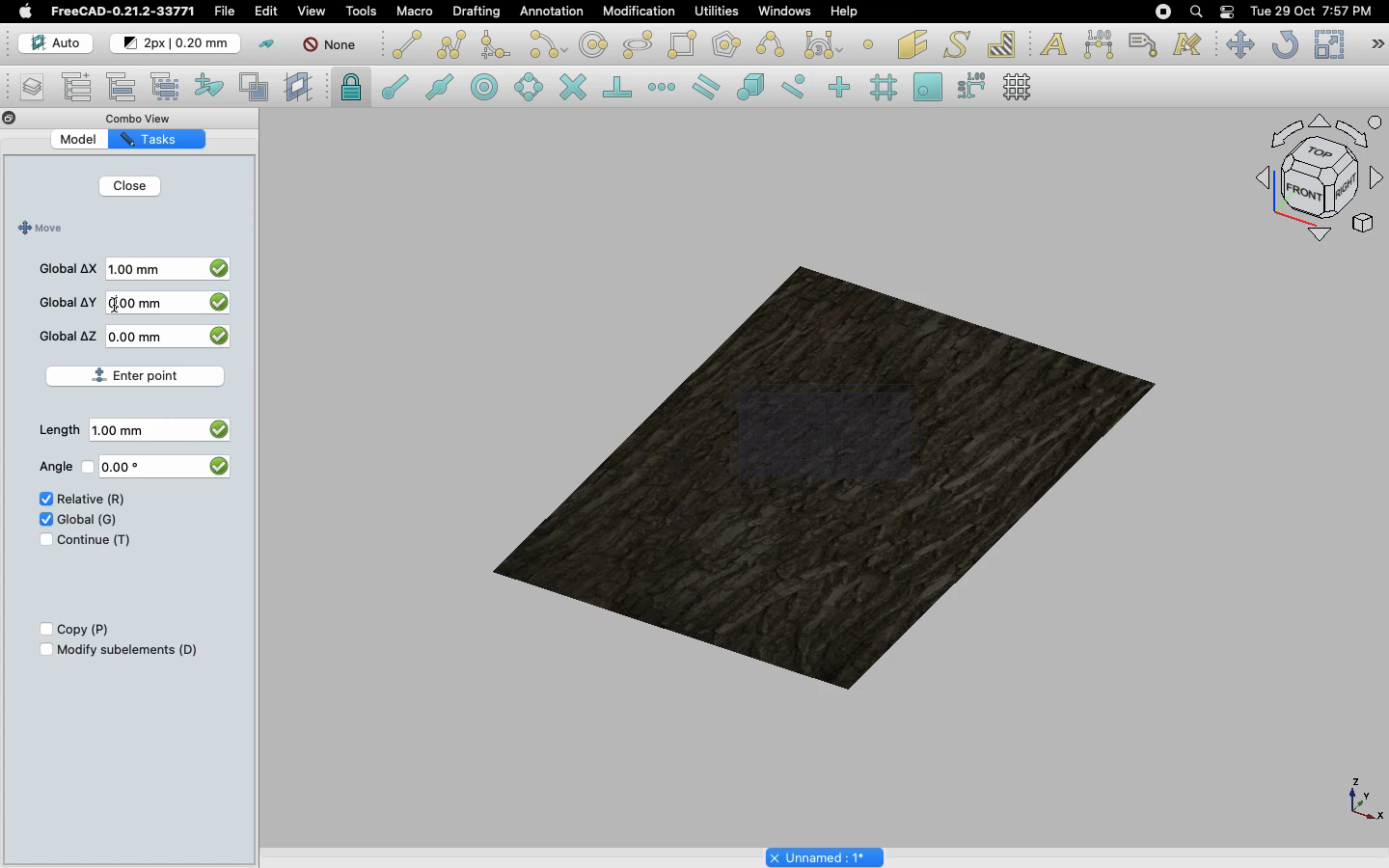 The image size is (1389, 868). Describe the element at coordinates (41, 630) in the screenshot. I see `Checkbox` at that location.